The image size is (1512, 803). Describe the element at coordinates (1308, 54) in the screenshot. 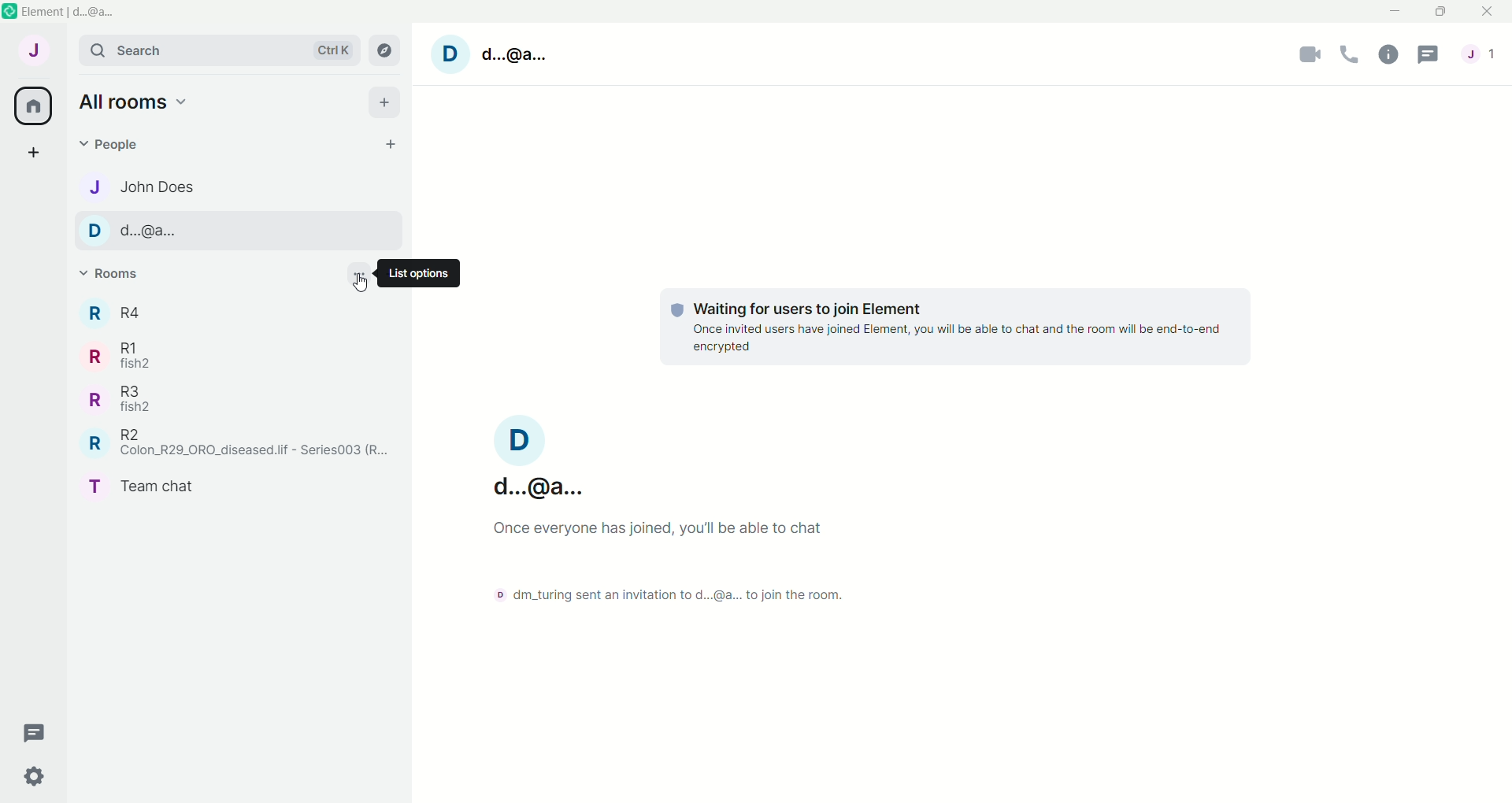

I see `Video Call` at that location.